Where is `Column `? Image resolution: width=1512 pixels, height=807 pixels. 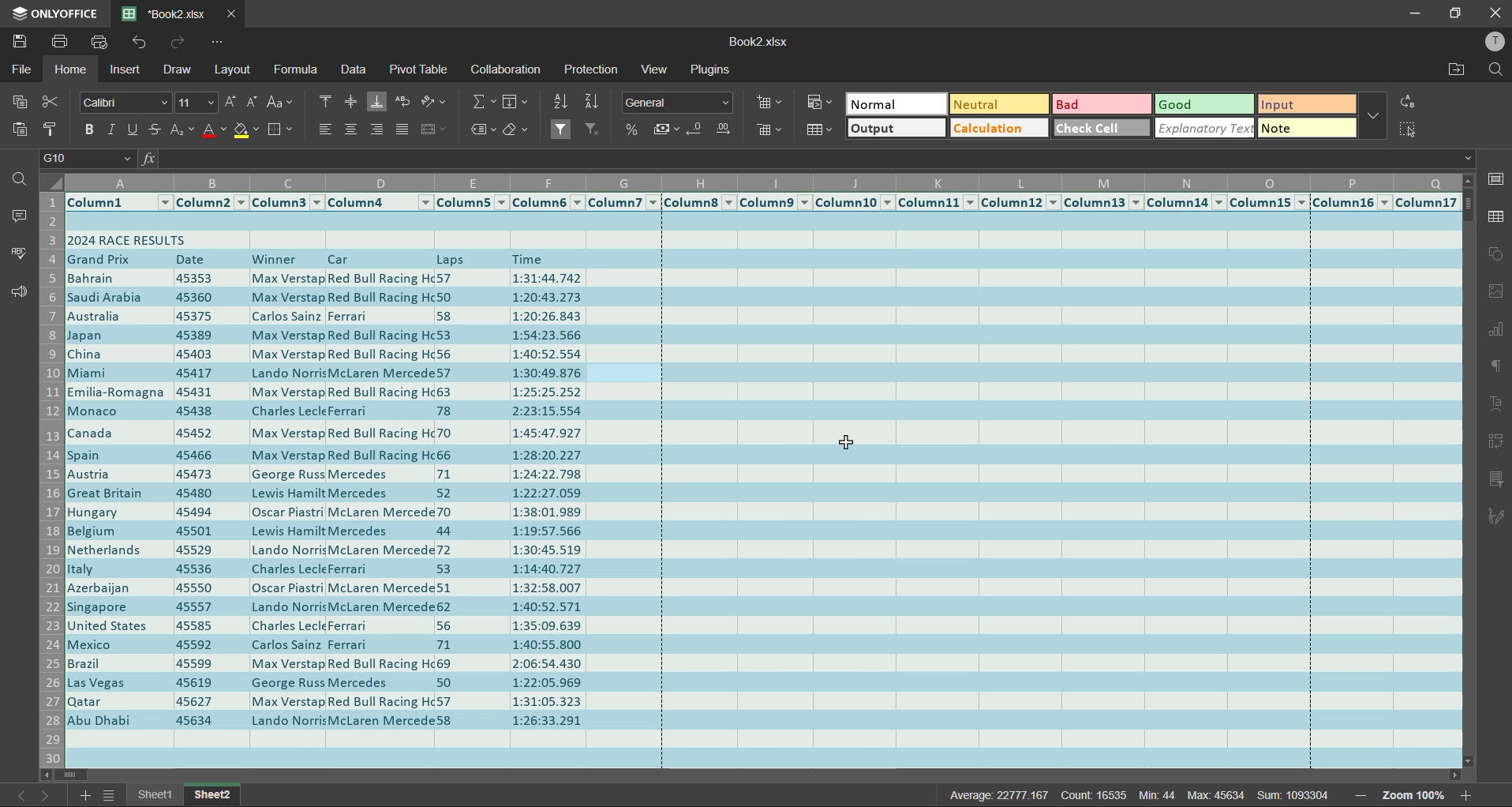 Column  is located at coordinates (547, 202).